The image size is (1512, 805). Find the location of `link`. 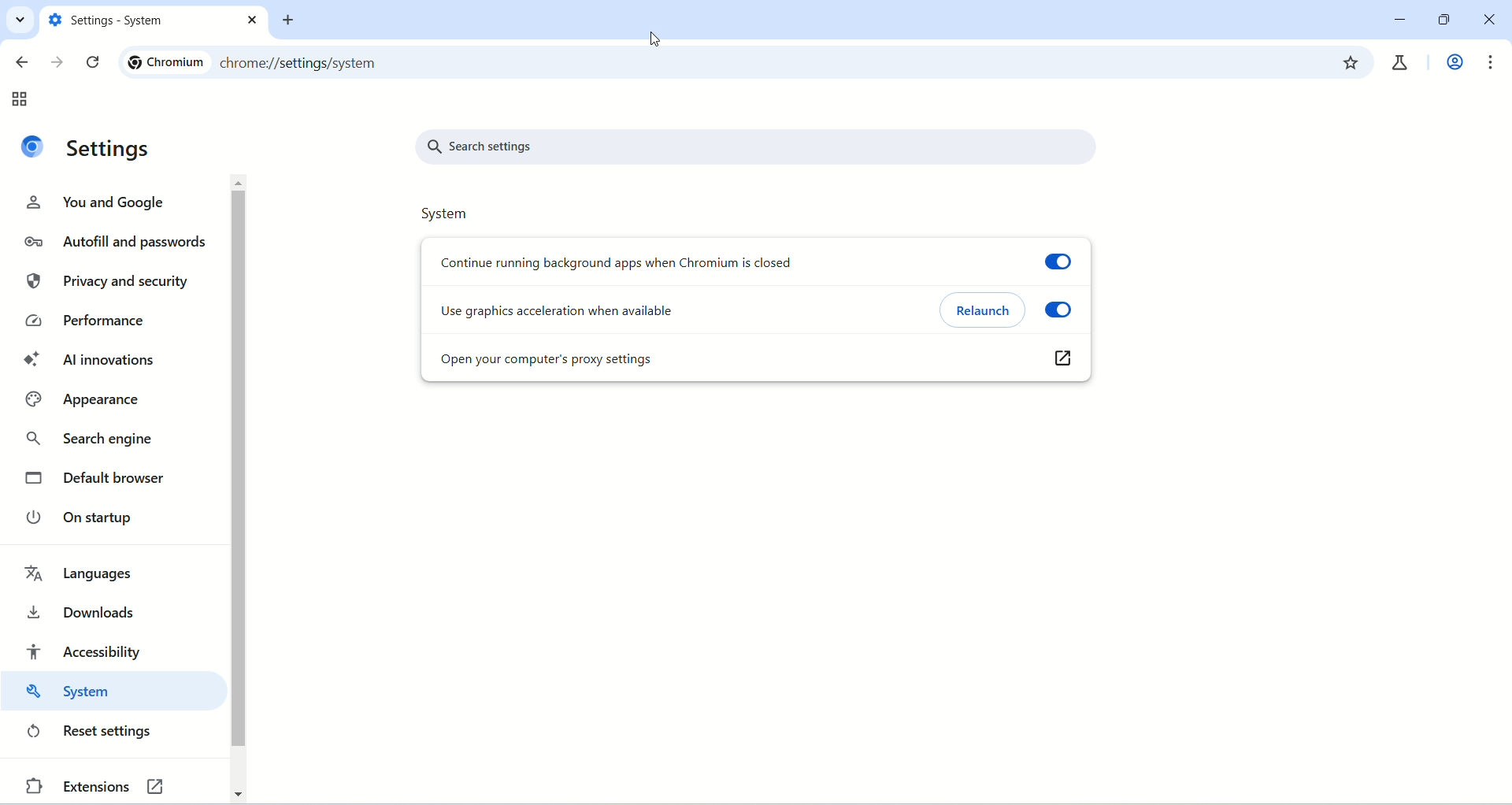

link is located at coordinates (170, 785).